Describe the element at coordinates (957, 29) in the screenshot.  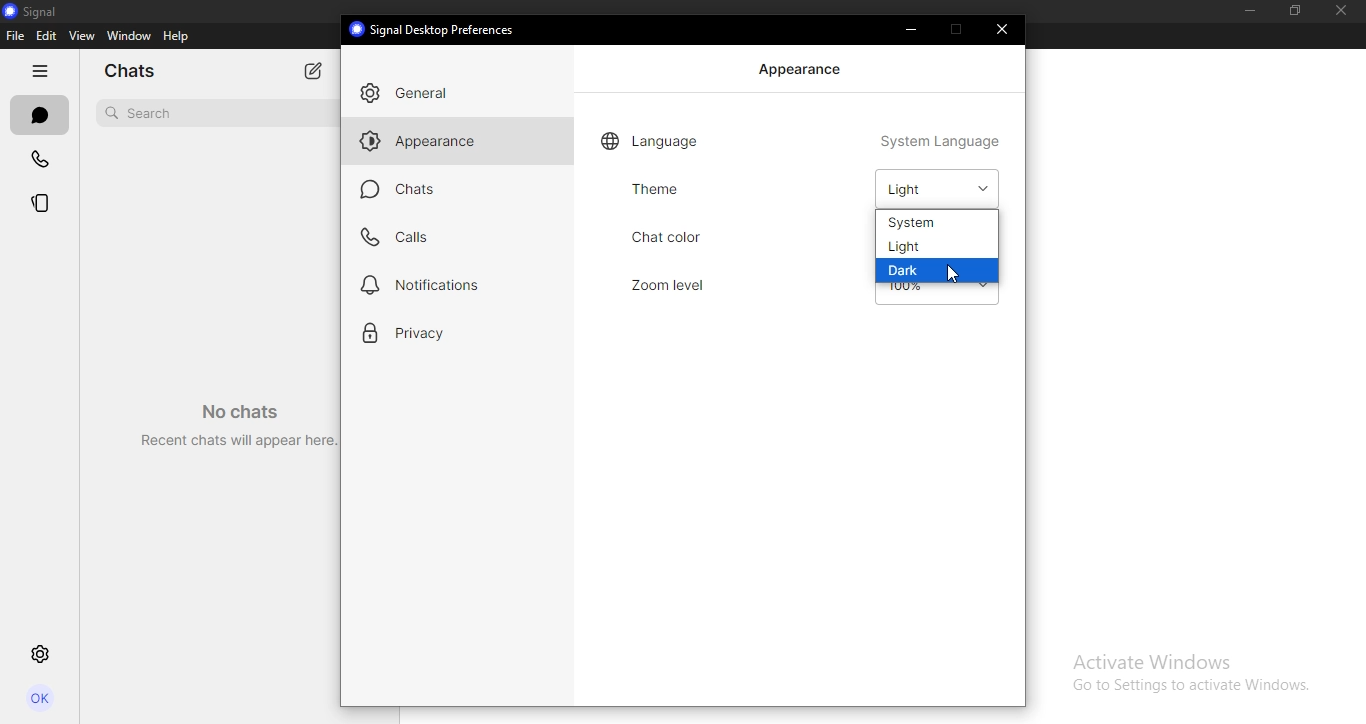
I see `restore down` at that location.